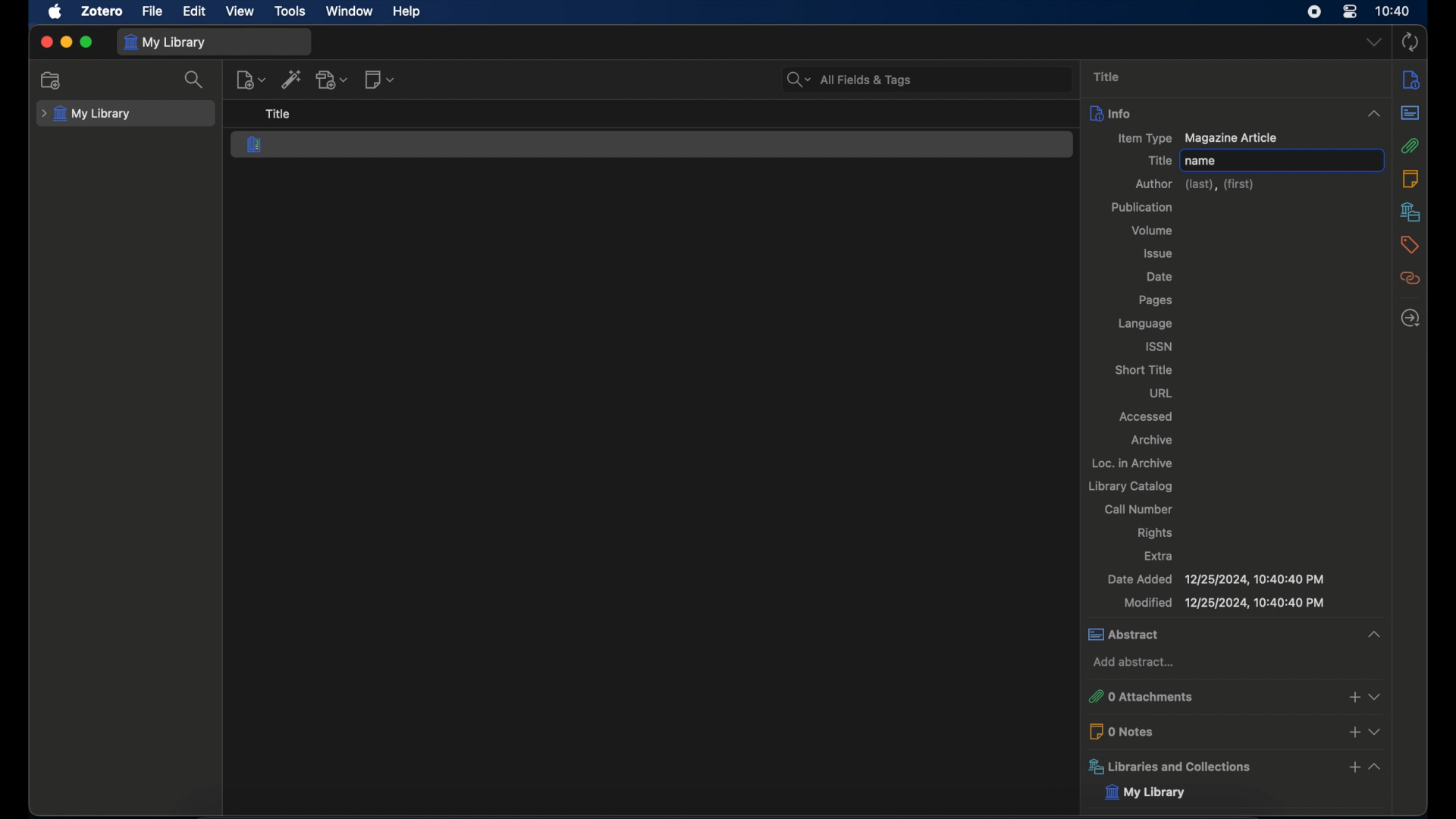  Describe the element at coordinates (1224, 603) in the screenshot. I see `modified` at that location.